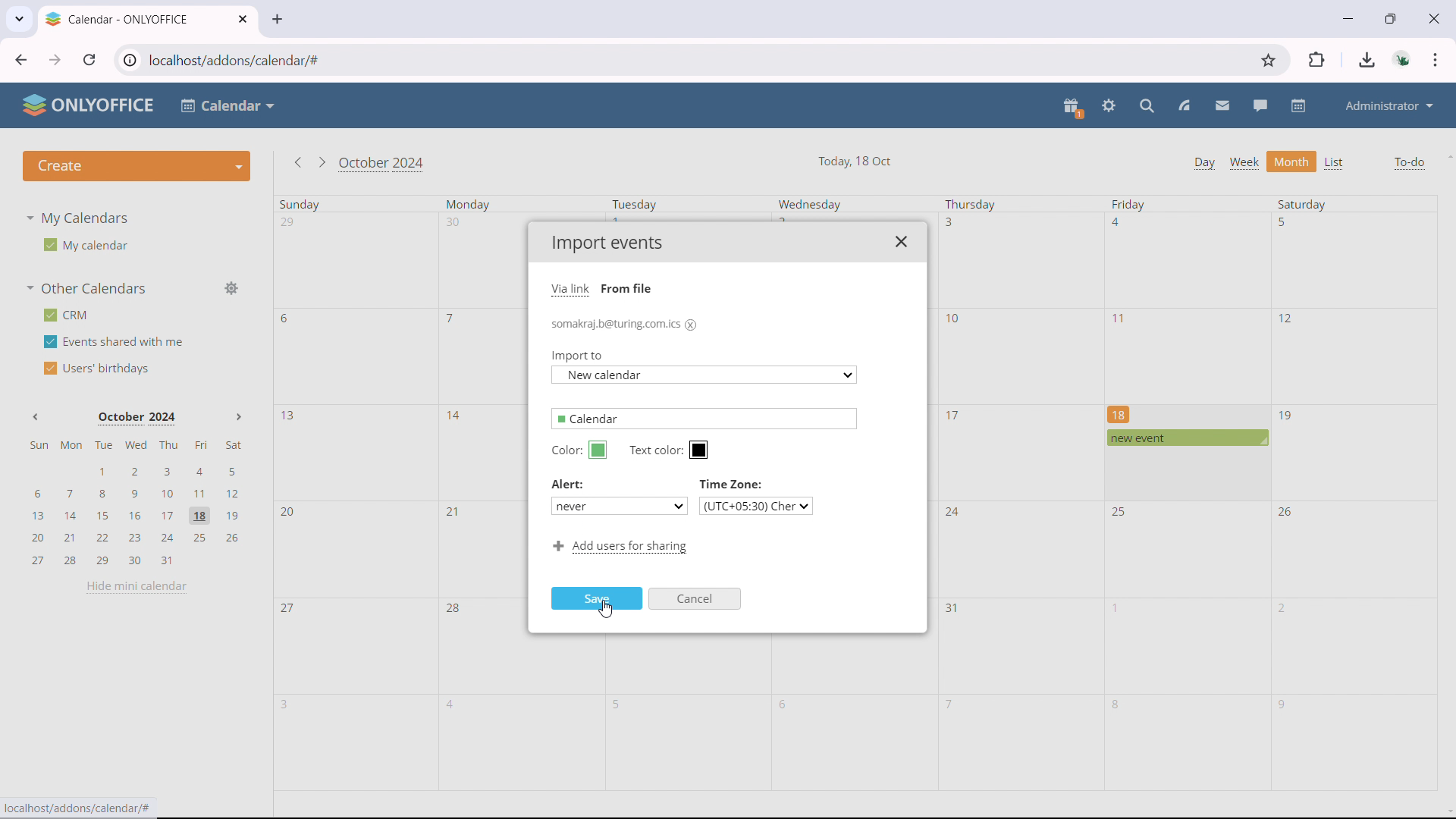 The width and height of the screenshot is (1456, 819). I want to click on 12, so click(1286, 317).